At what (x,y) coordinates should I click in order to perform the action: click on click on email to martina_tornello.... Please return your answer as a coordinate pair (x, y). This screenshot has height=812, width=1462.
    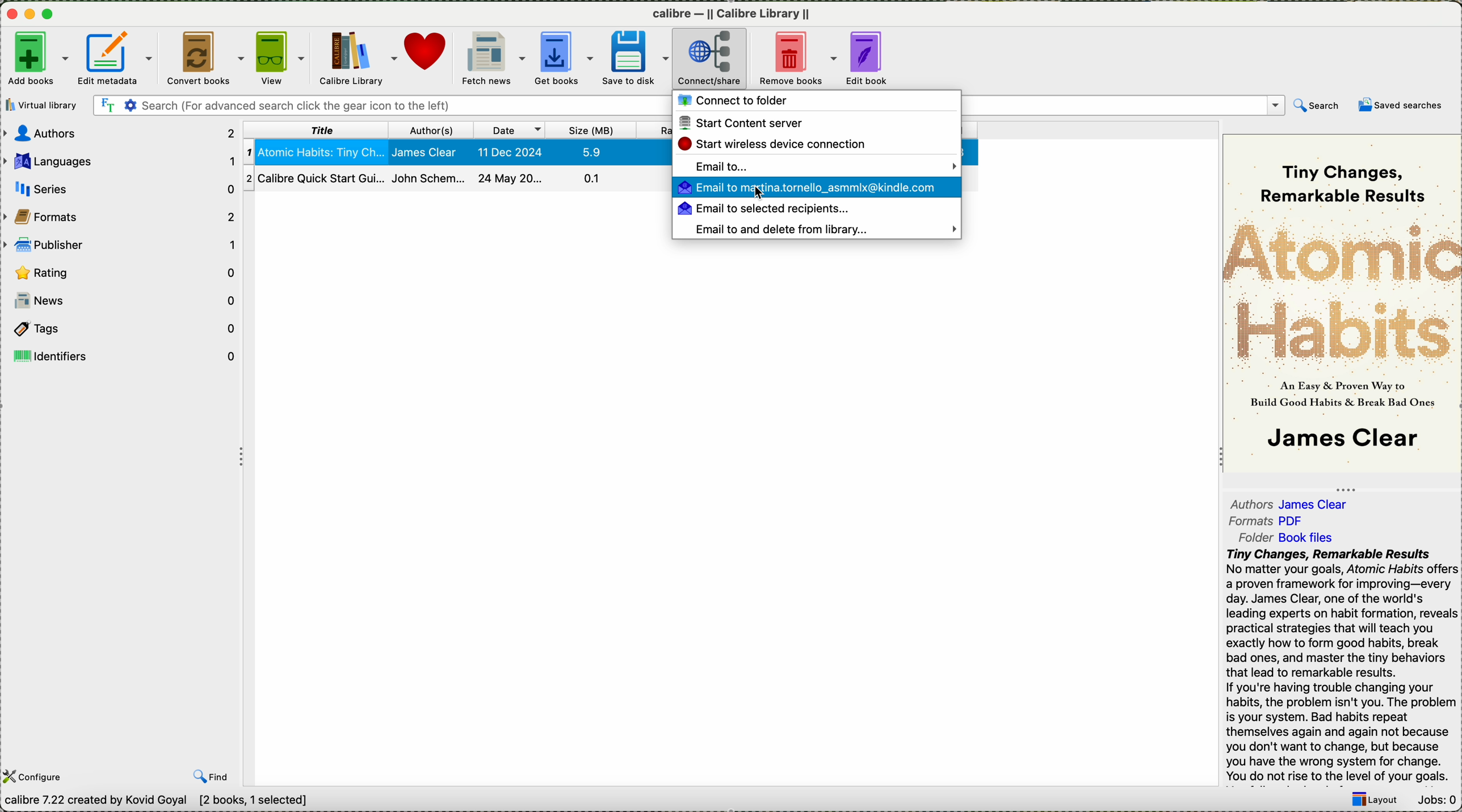
    Looking at the image, I should click on (816, 188).